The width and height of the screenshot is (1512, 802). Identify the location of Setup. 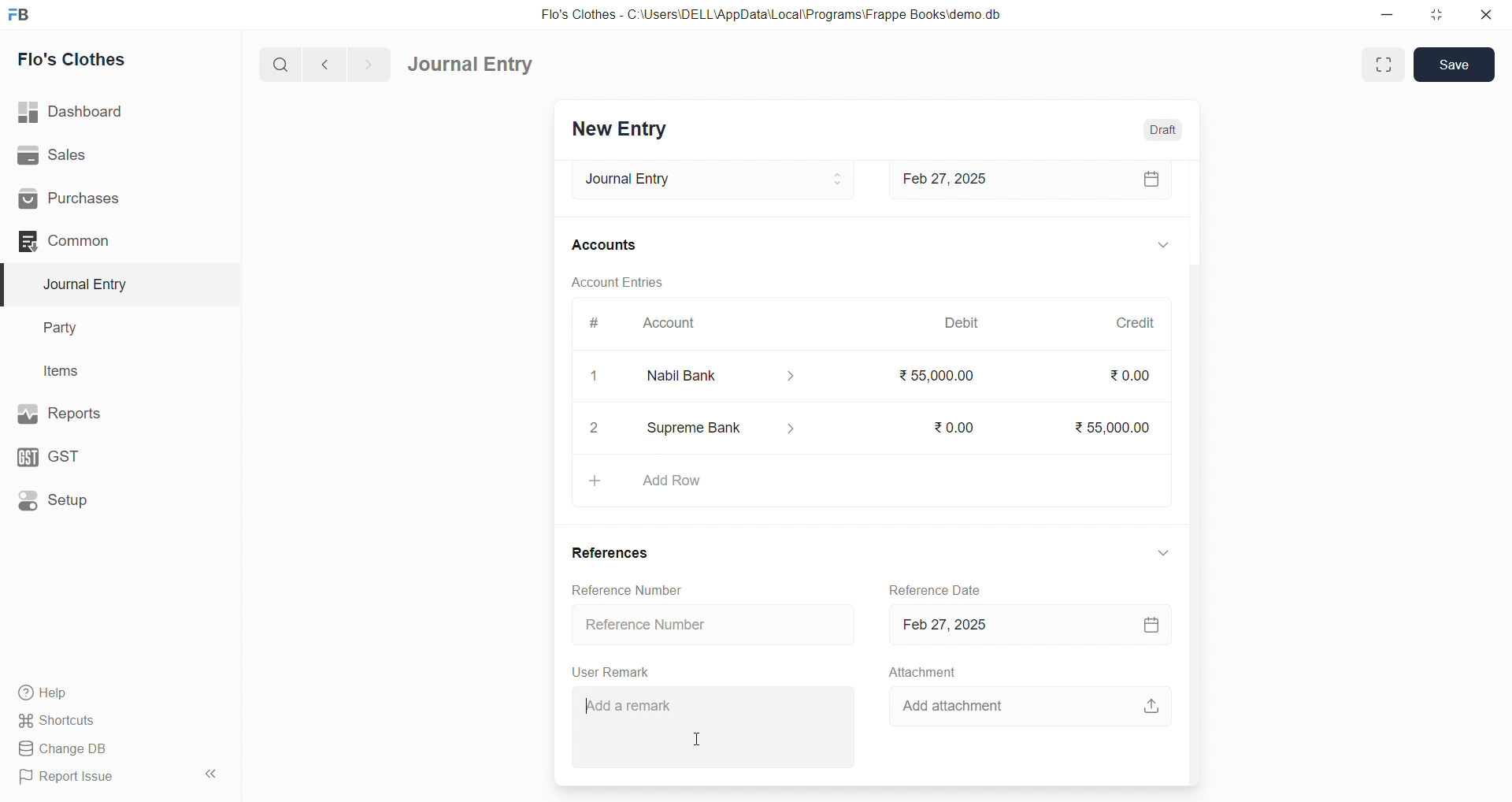
(91, 503).